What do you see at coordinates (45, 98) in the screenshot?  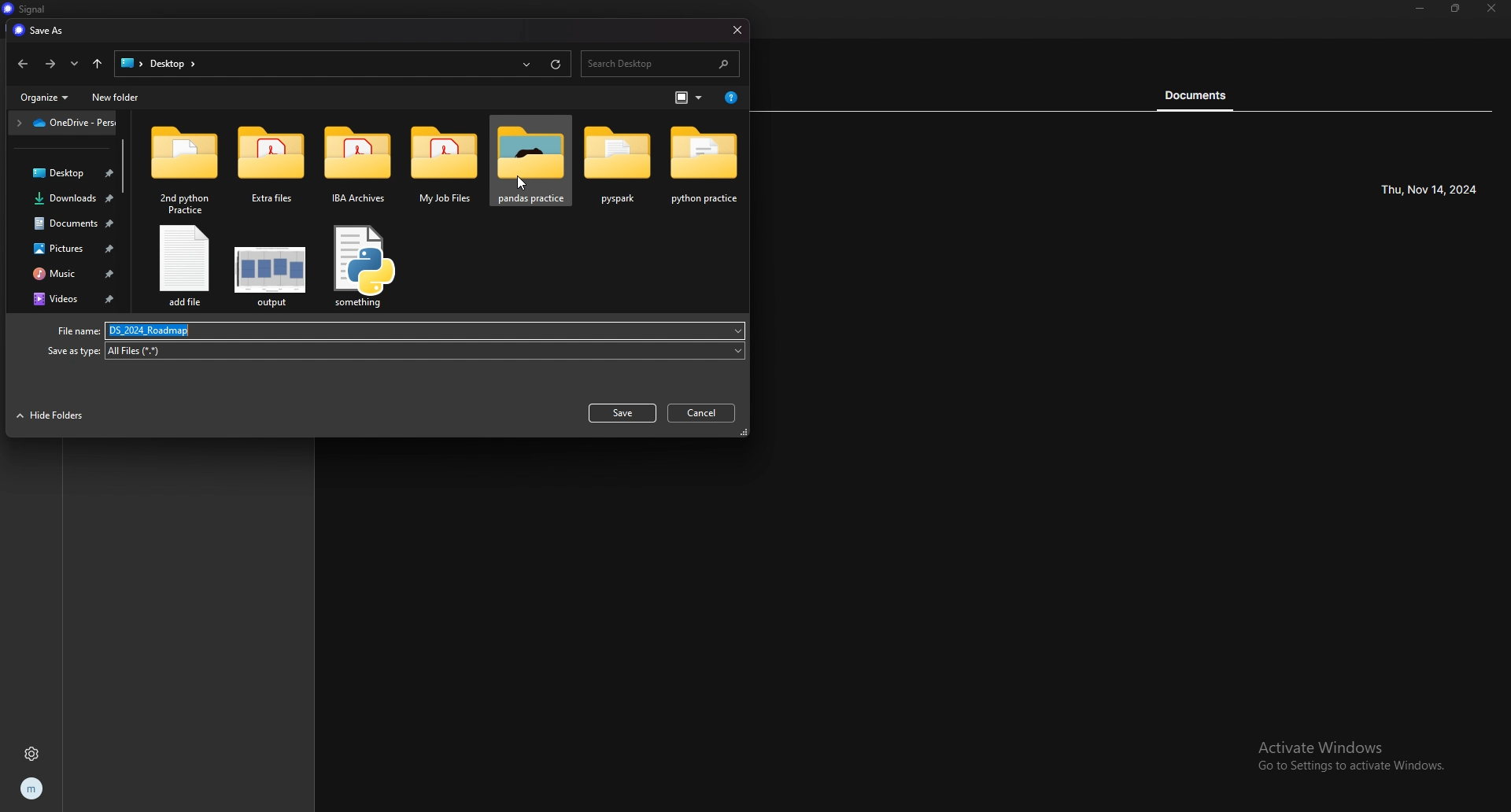 I see `organize` at bounding box center [45, 98].